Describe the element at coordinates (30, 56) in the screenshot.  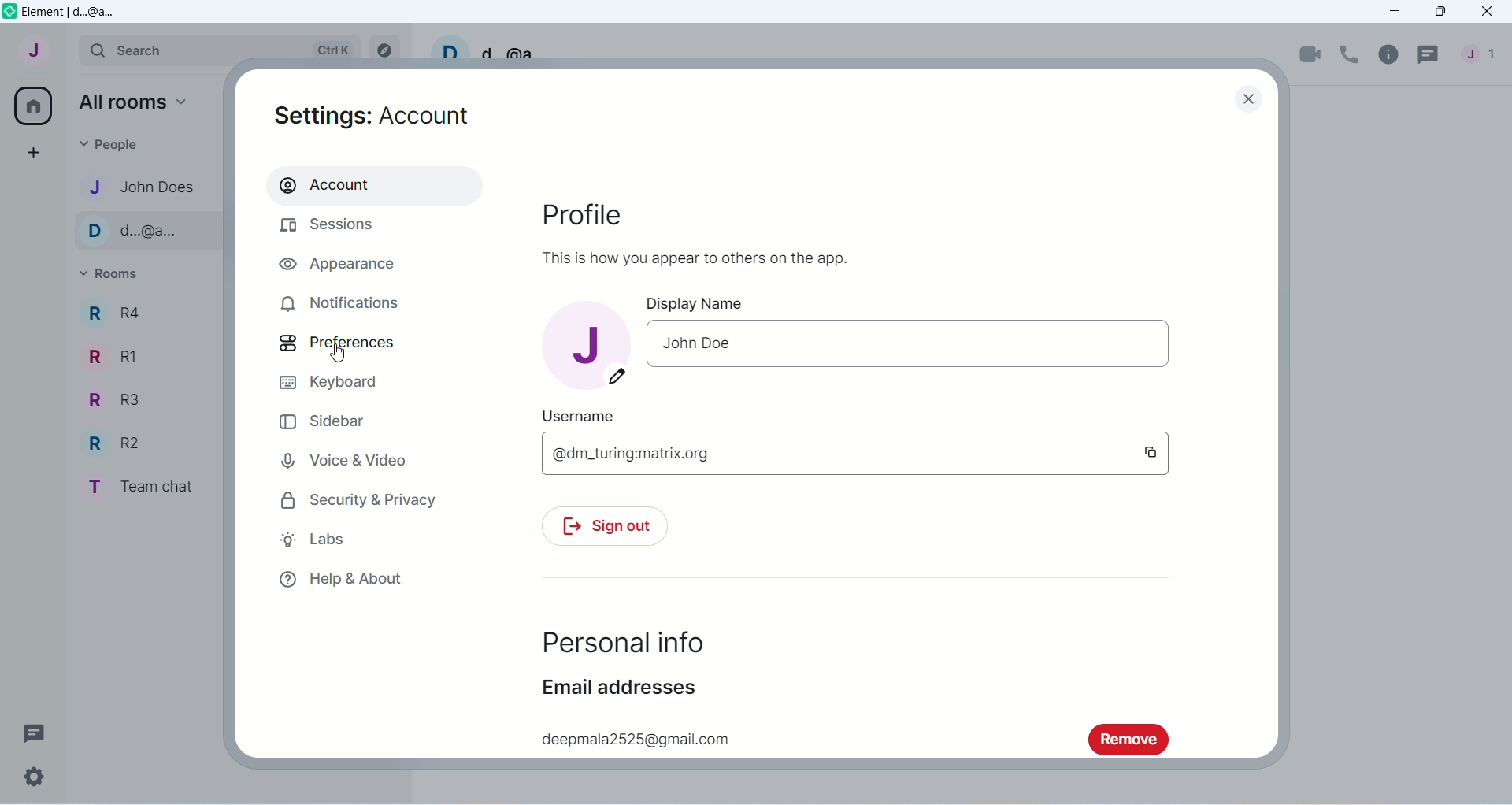
I see `User menu` at that location.